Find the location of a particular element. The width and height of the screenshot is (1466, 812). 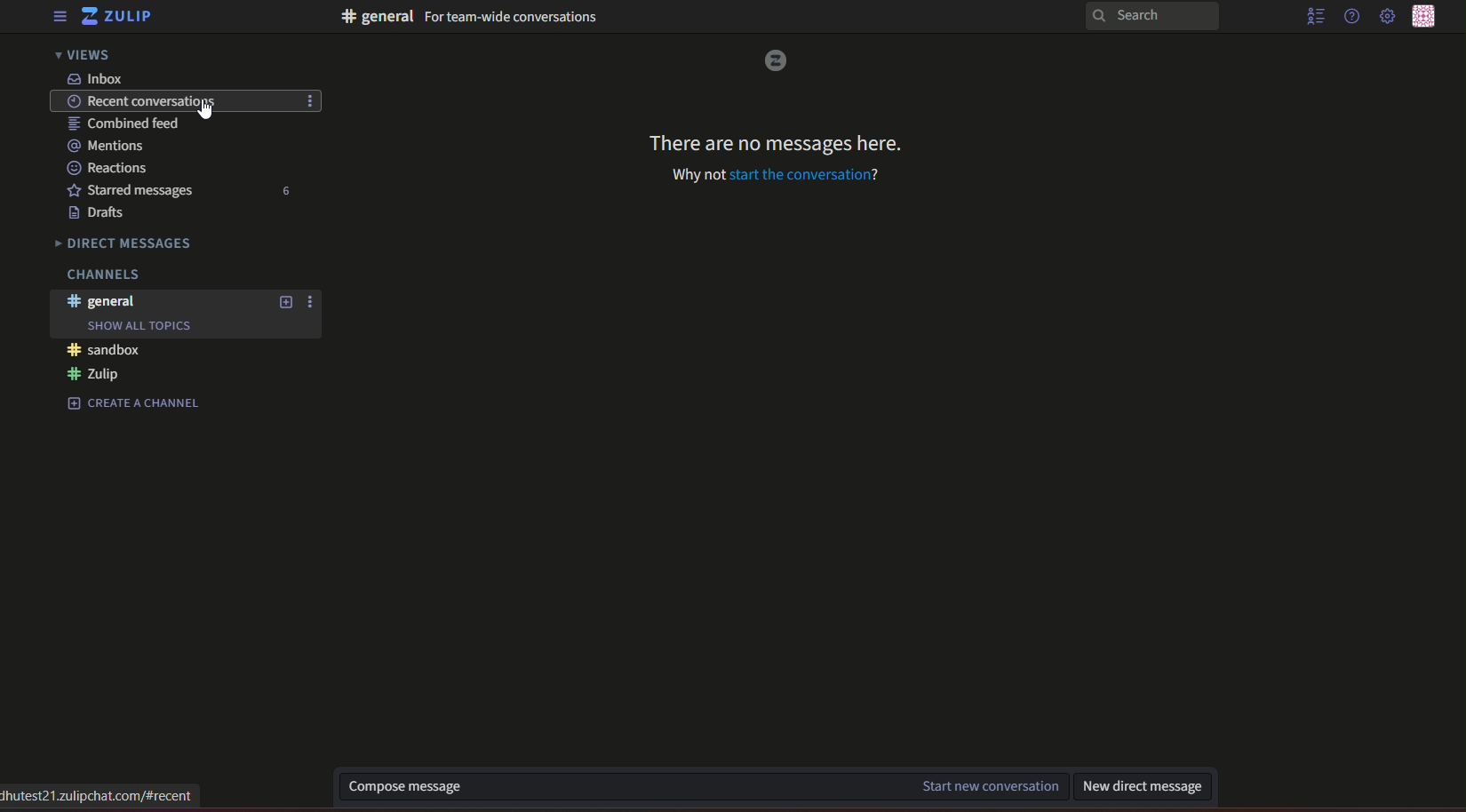

recent conversation is located at coordinates (137, 101).